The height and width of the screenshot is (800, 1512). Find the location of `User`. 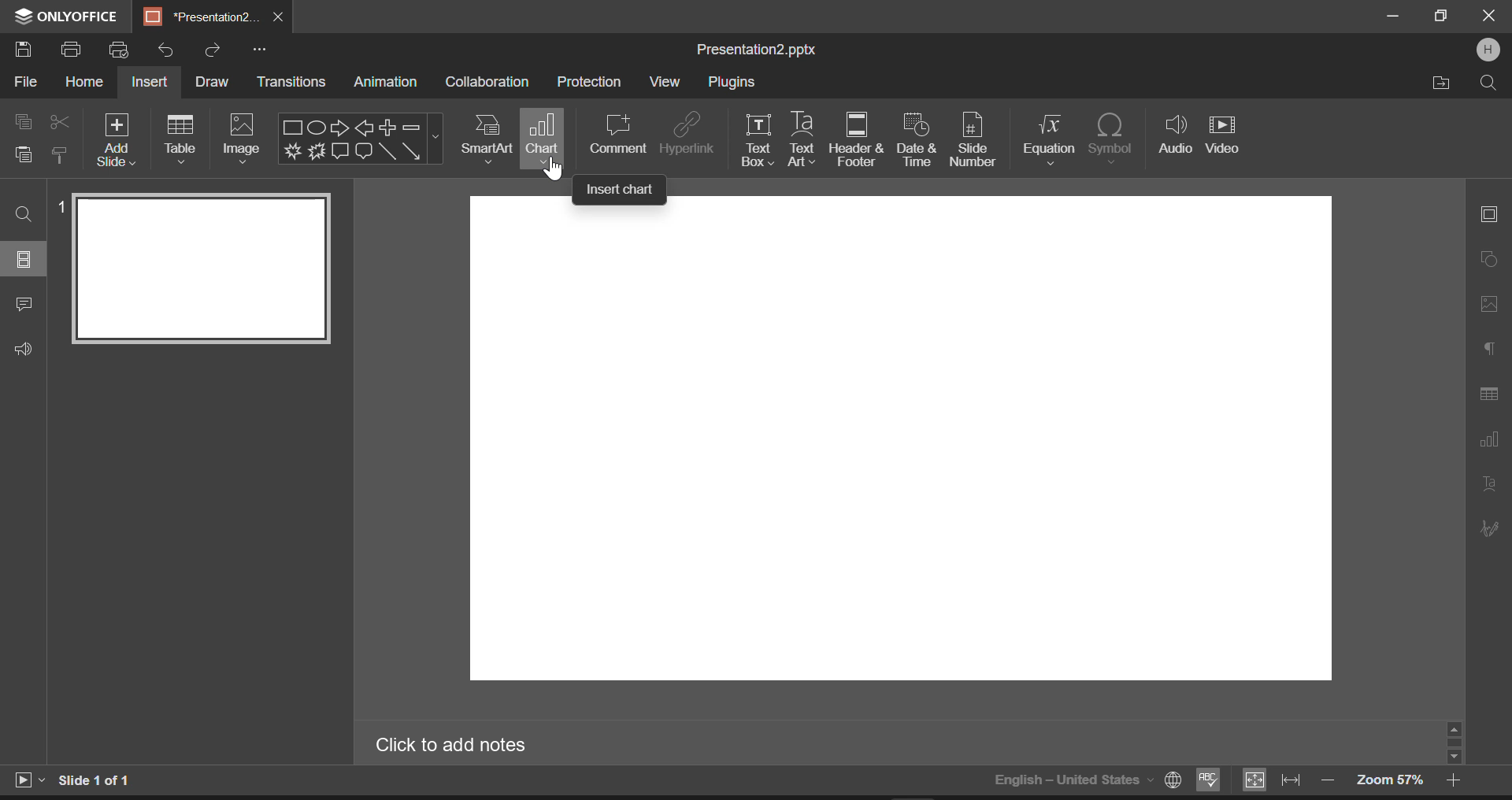

User is located at coordinates (1488, 50).